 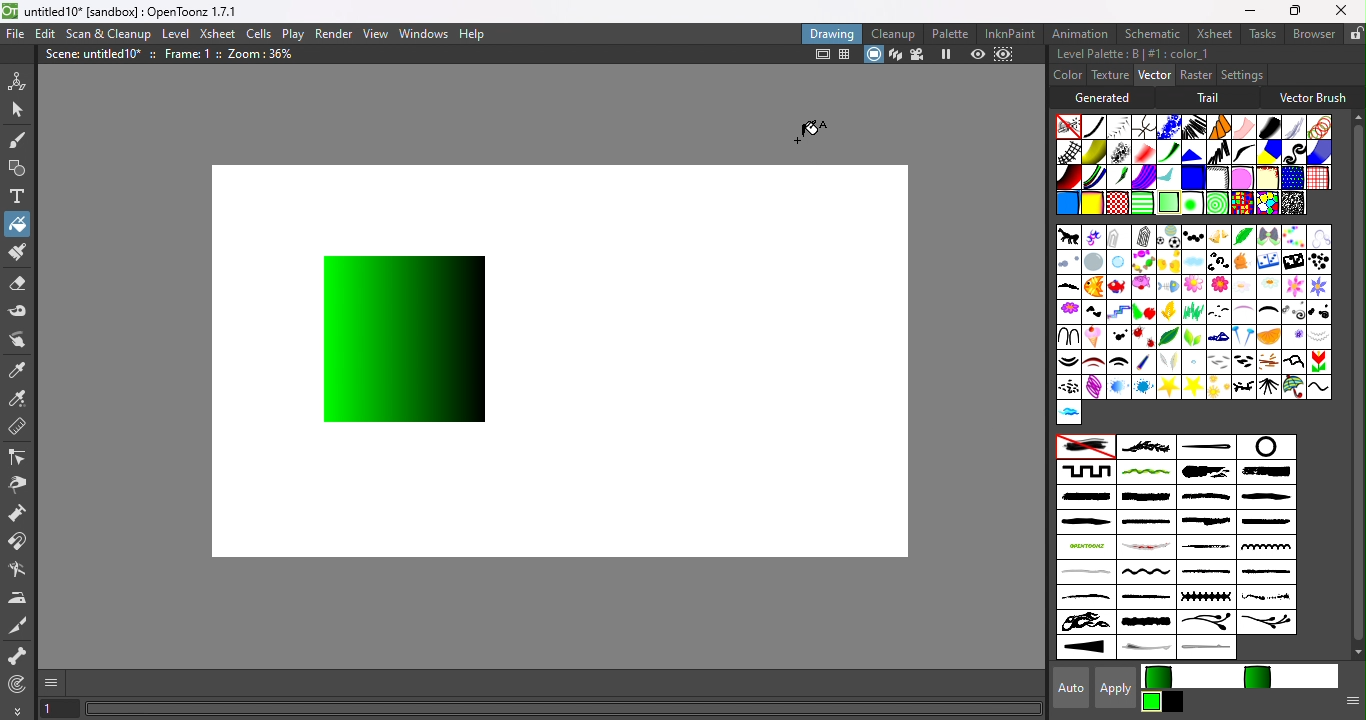 I want to click on star, so click(x=1192, y=386).